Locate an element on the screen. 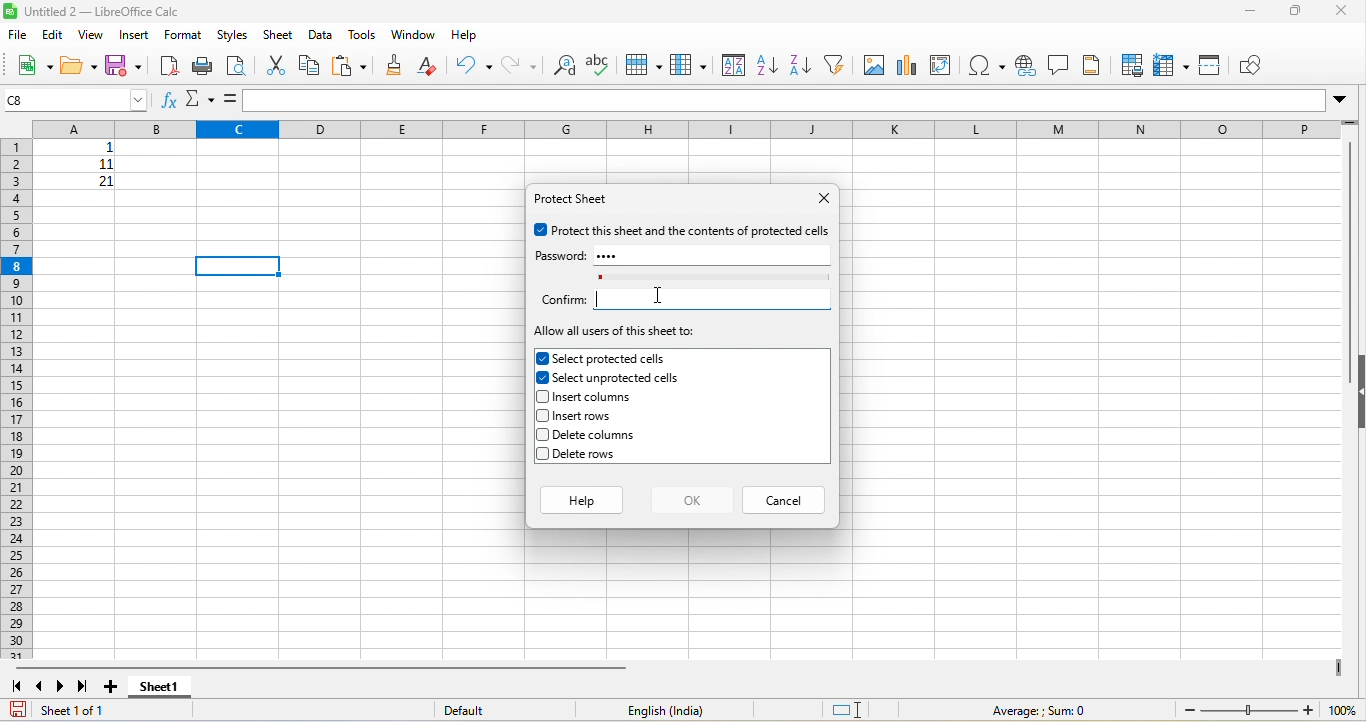 Image resolution: width=1366 pixels, height=722 pixels. styles is located at coordinates (233, 35).